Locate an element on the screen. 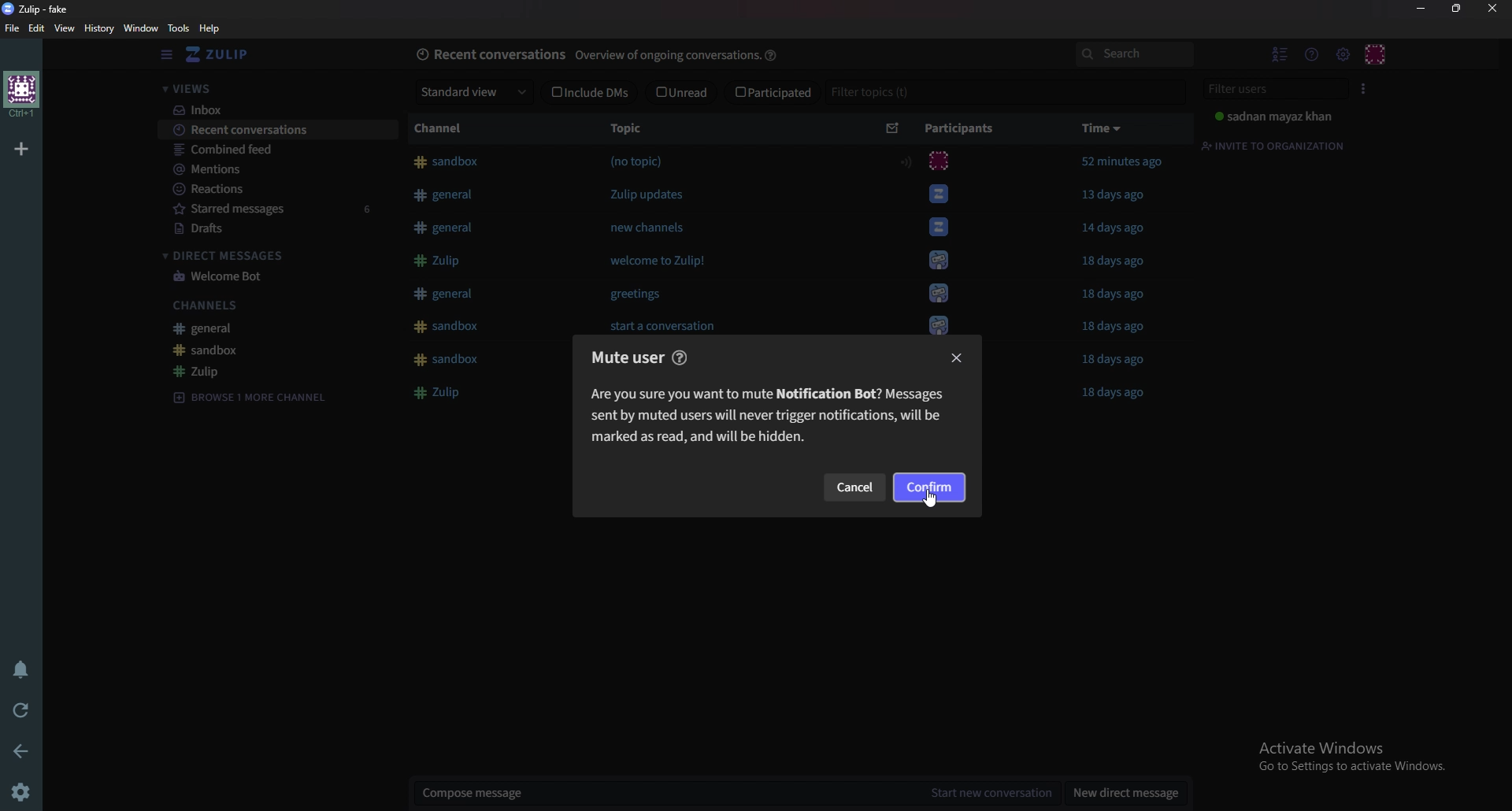 The height and width of the screenshot is (811, 1512). cursor is located at coordinates (932, 499).